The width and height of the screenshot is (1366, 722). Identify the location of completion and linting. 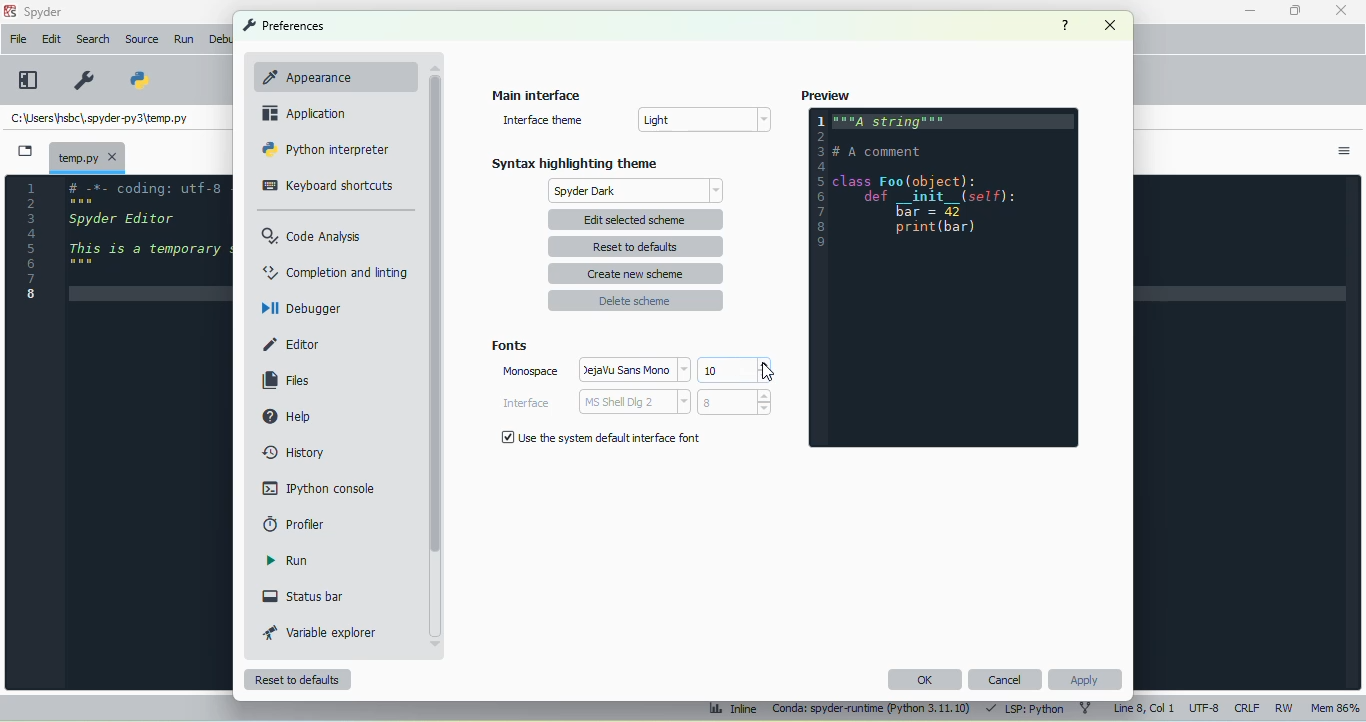
(336, 271).